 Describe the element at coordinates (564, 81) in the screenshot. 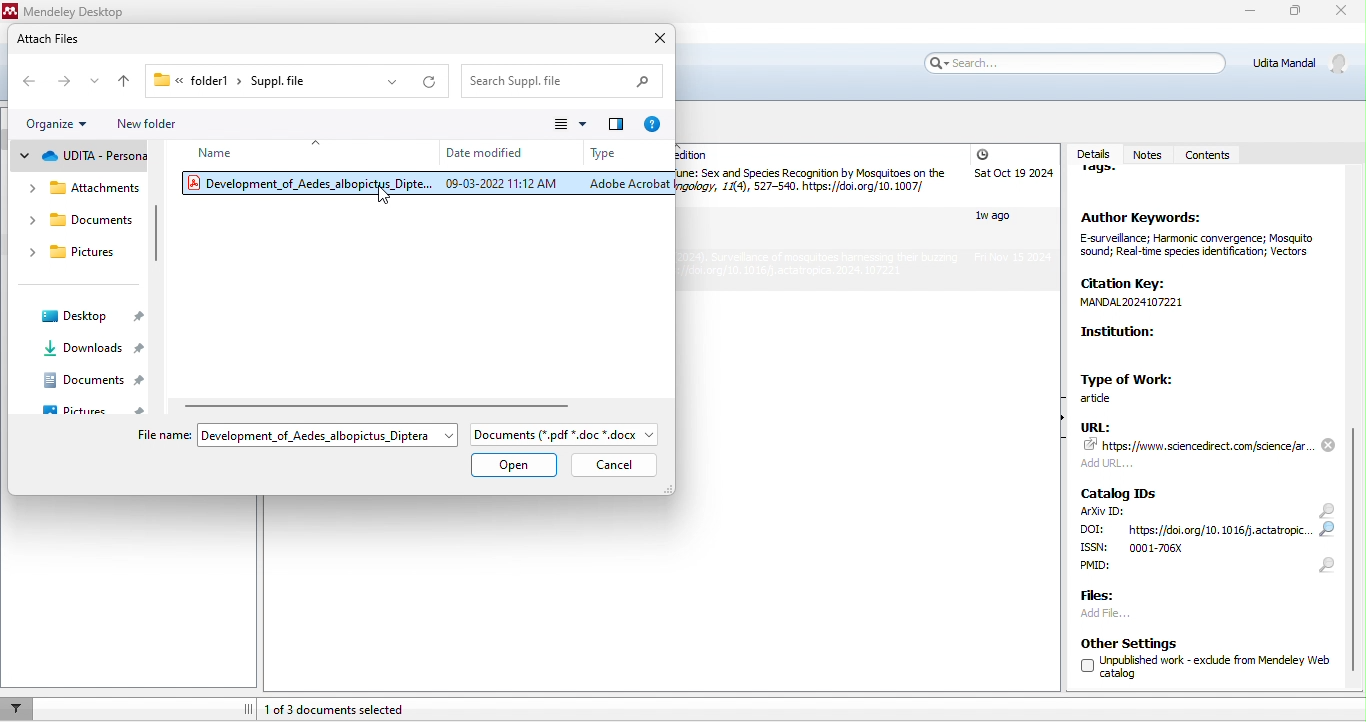

I see `search` at that location.